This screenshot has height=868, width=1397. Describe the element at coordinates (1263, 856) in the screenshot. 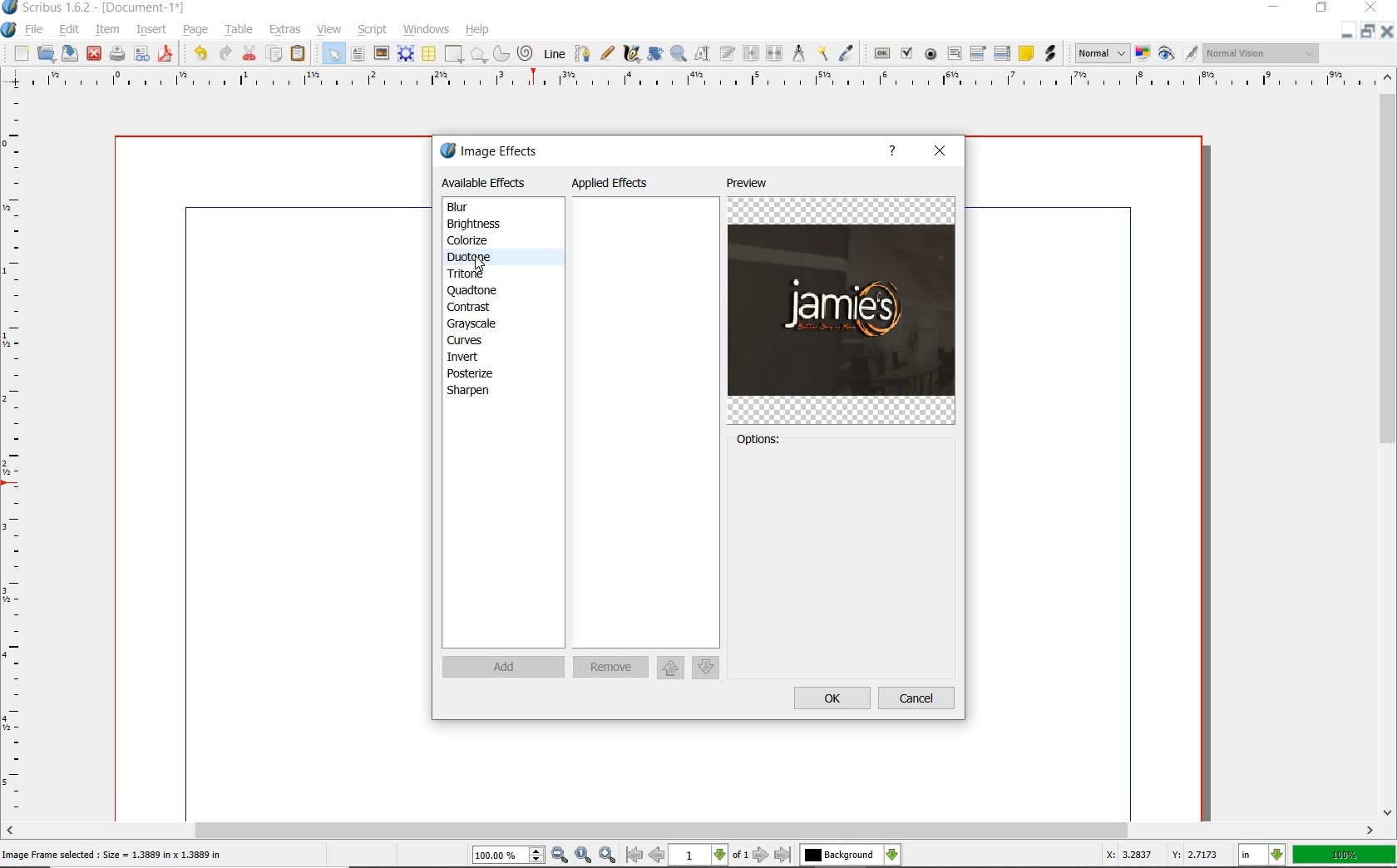

I see `select the current unit` at that location.